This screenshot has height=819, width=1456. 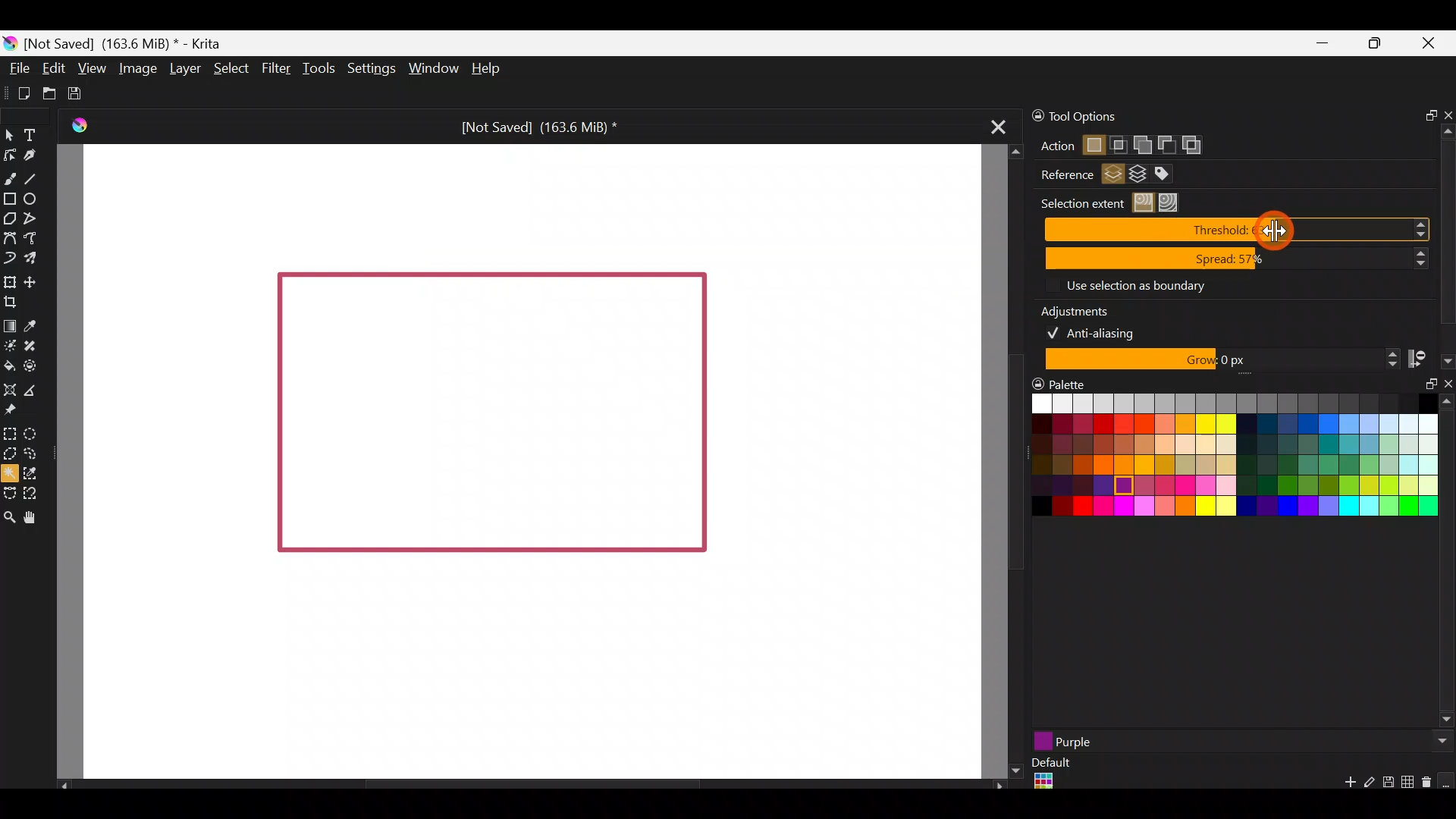 What do you see at coordinates (132, 44) in the screenshot?
I see `[Not Saved] (163.6 MiB) * - Krita` at bounding box center [132, 44].